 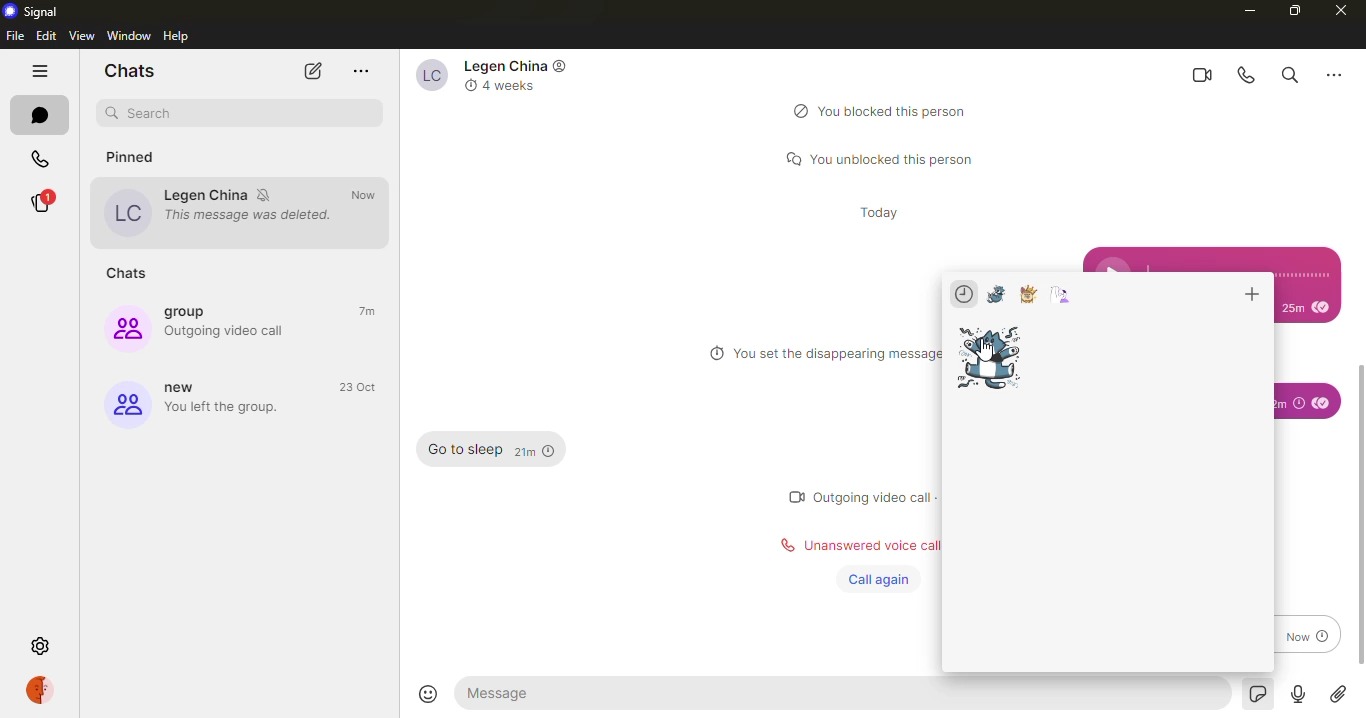 What do you see at coordinates (14, 36) in the screenshot?
I see `file` at bounding box center [14, 36].